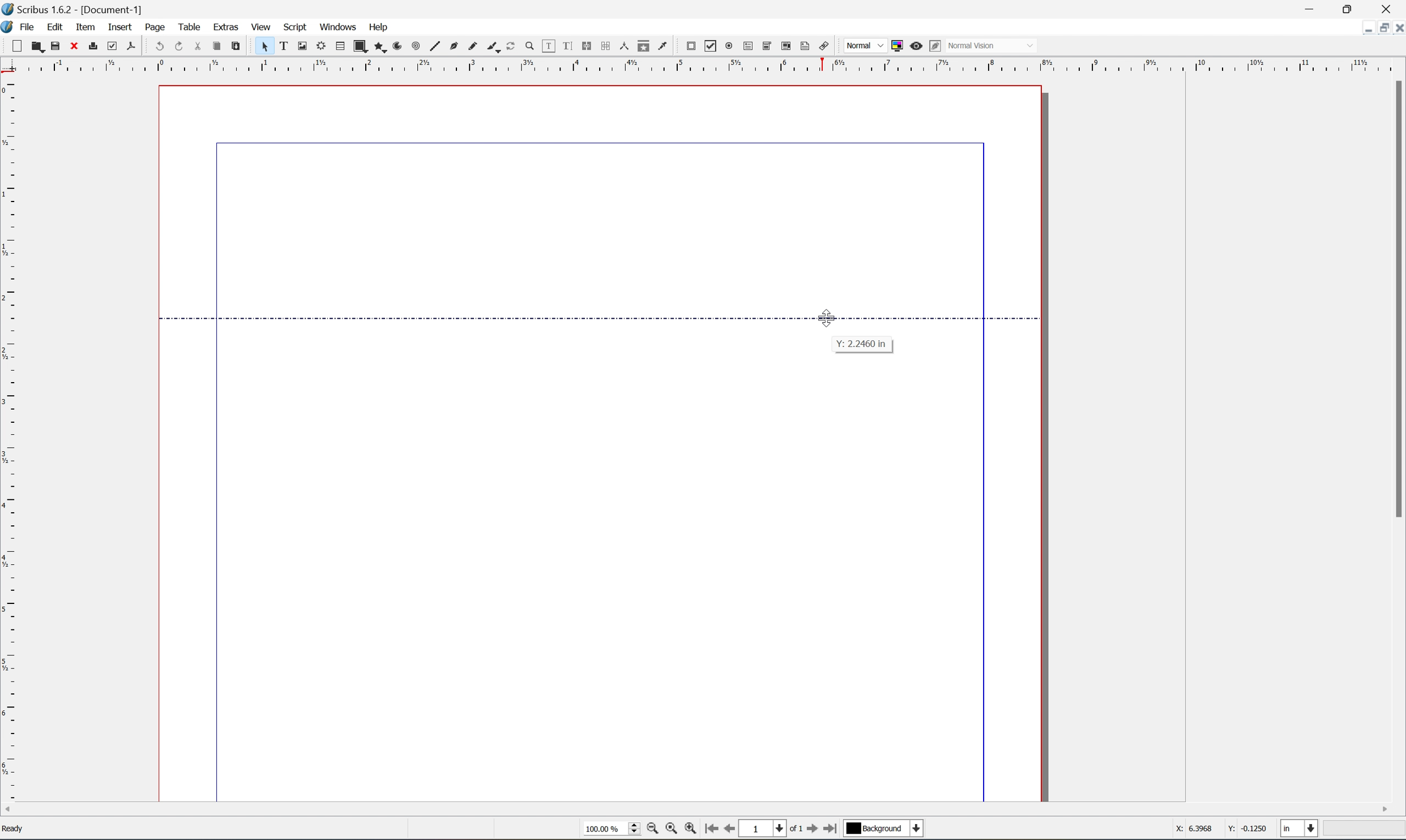  Describe the element at coordinates (672, 831) in the screenshot. I see `zoom to 100%` at that location.